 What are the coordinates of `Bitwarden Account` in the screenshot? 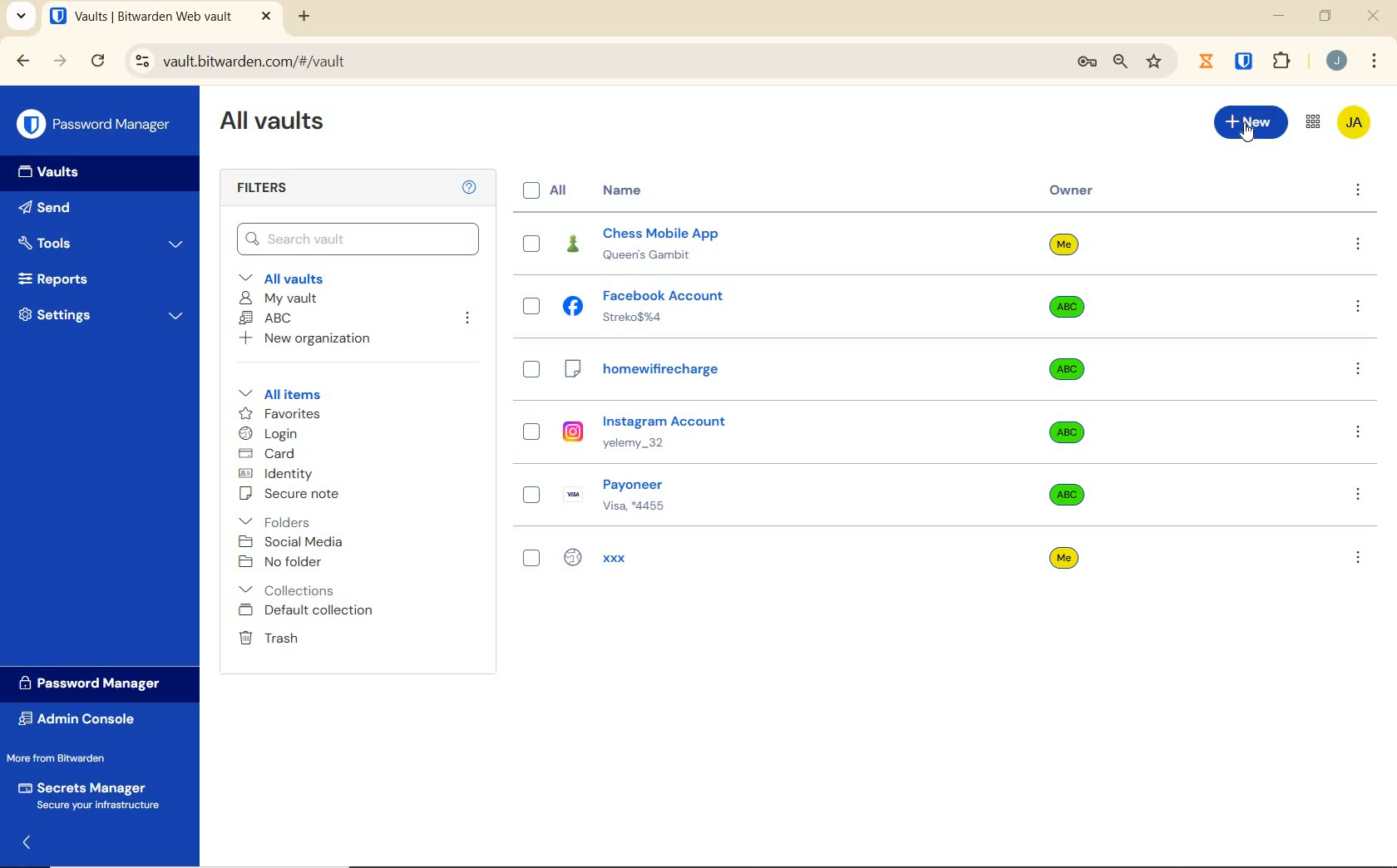 It's located at (1355, 124).